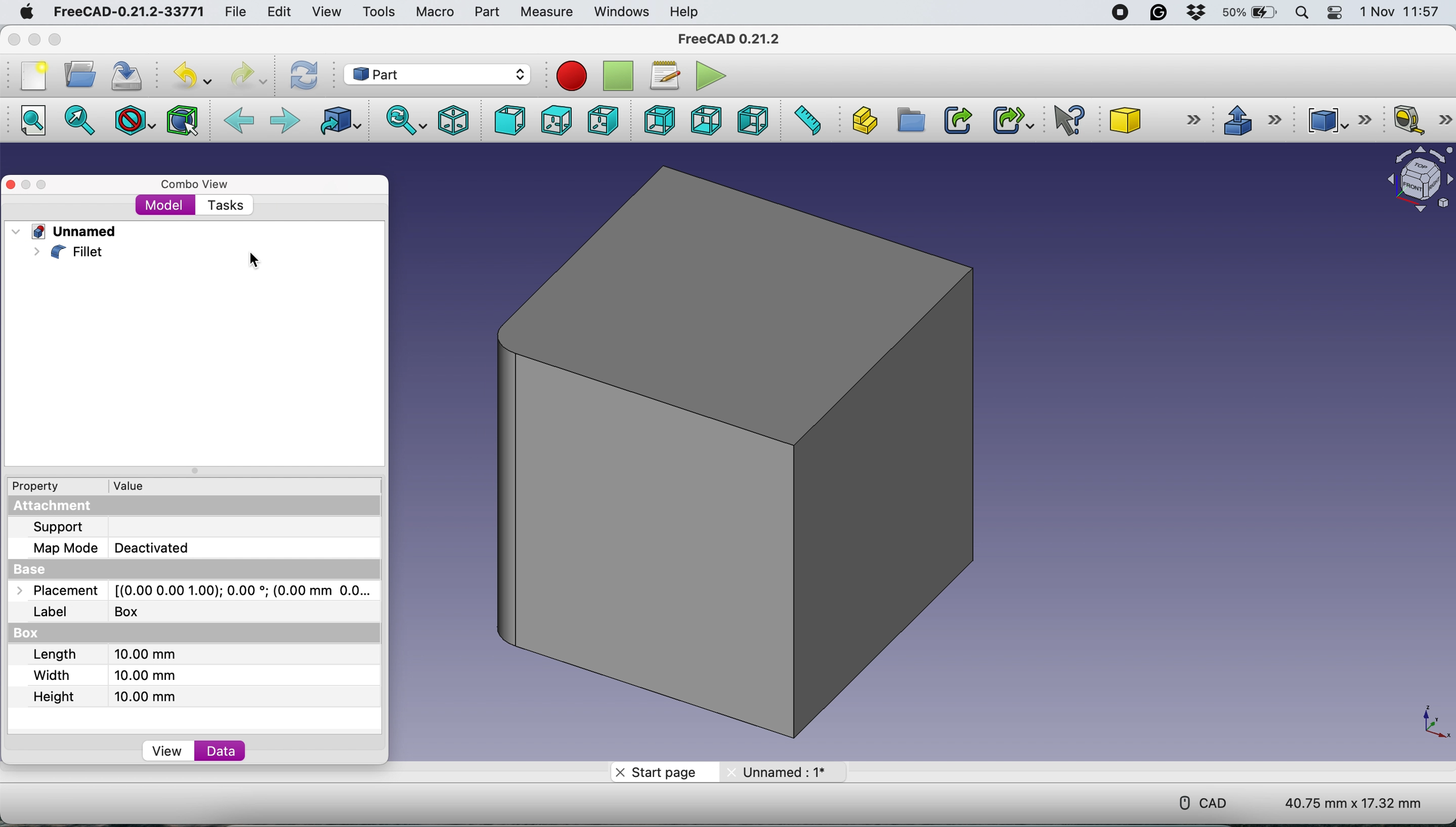 The height and width of the screenshot is (827, 1456). I want to click on edit, so click(278, 12).